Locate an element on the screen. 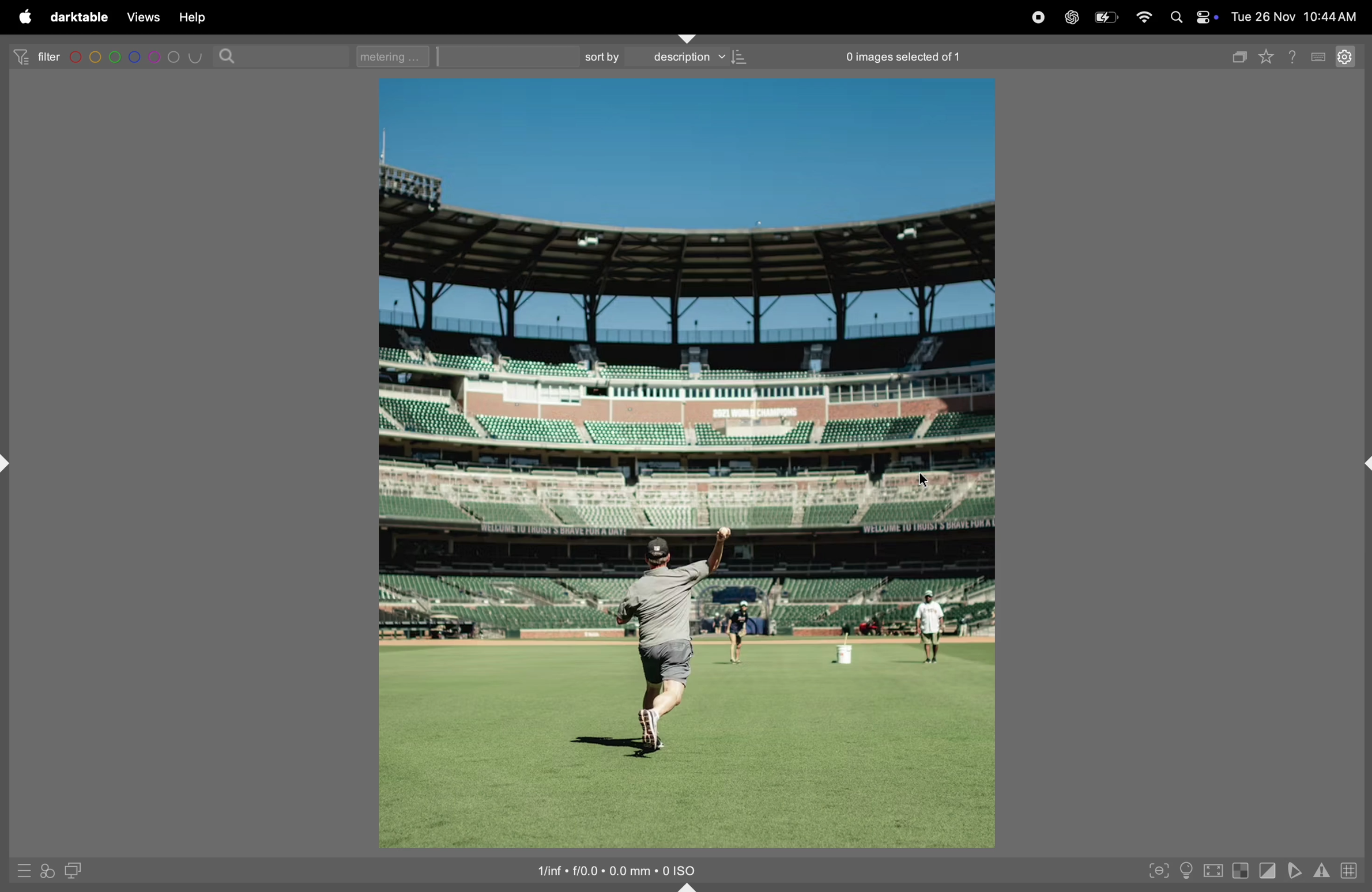 The image size is (1372, 892). battery is located at coordinates (1105, 18).